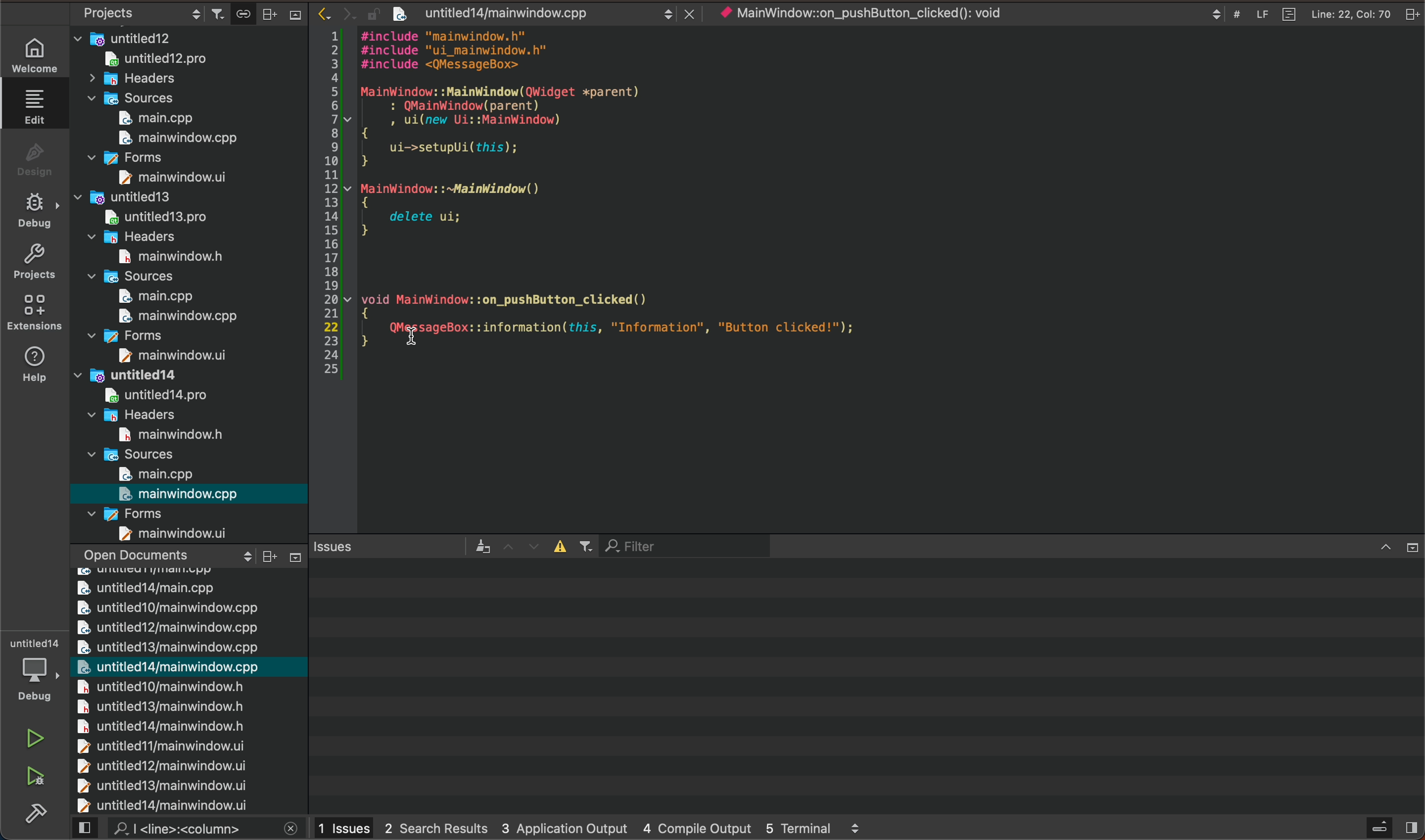 Image resolution: width=1425 pixels, height=840 pixels. Describe the element at coordinates (36, 58) in the screenshot. I see `WELCOME` at that location.